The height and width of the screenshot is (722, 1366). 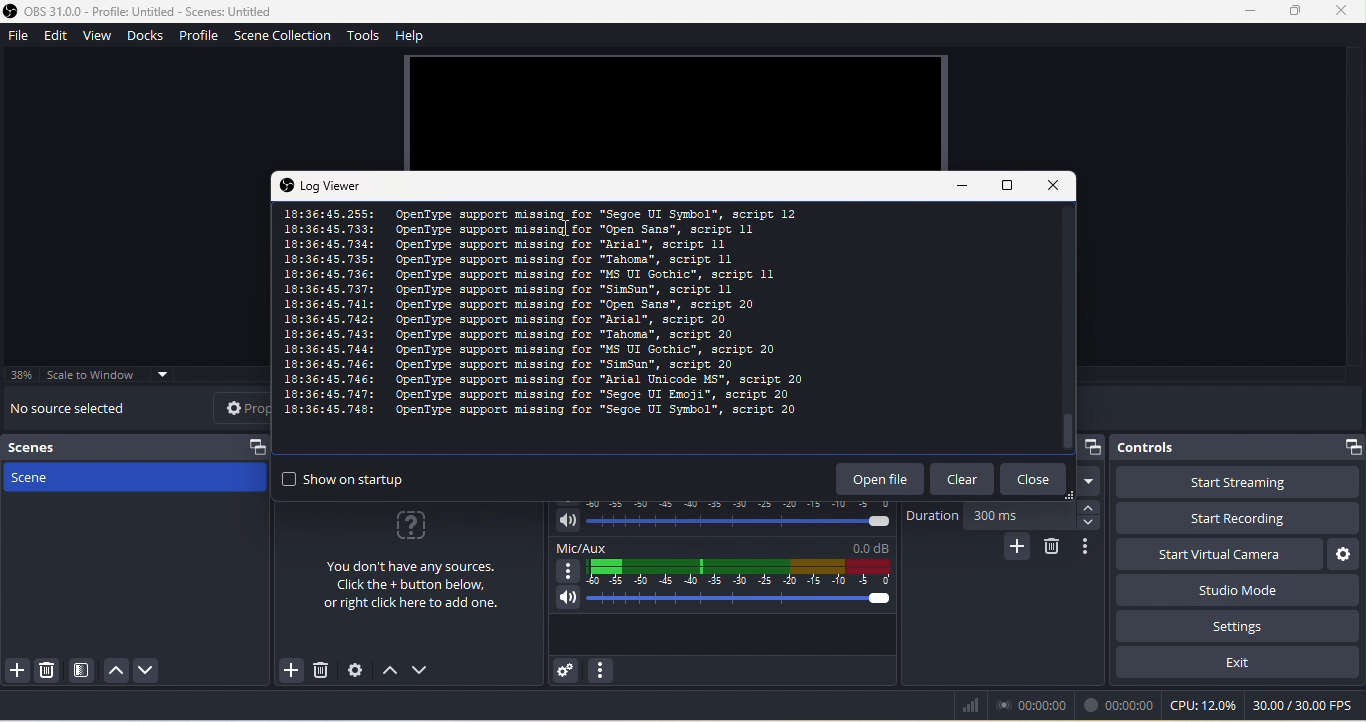 I want to click on down, so click(x=425, y=672).